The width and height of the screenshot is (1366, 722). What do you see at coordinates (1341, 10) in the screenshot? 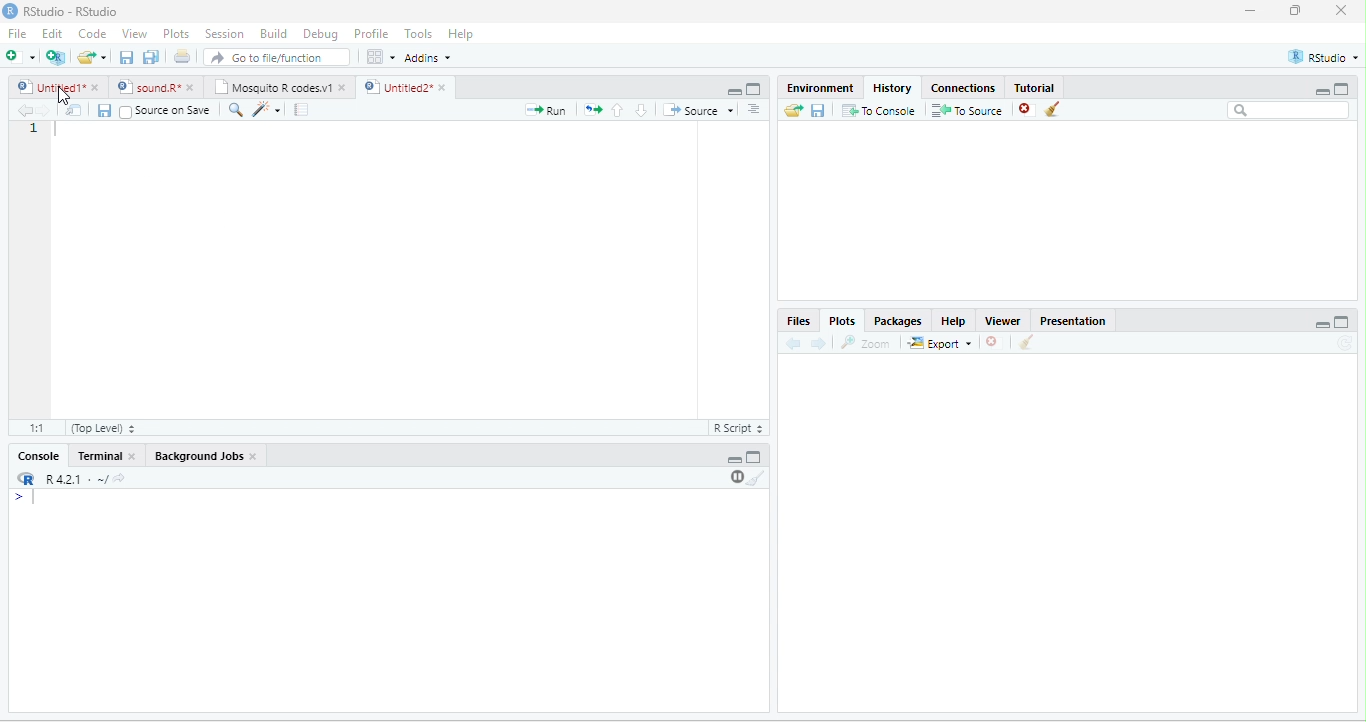
I see `close` at bounding box center [1341, 10].